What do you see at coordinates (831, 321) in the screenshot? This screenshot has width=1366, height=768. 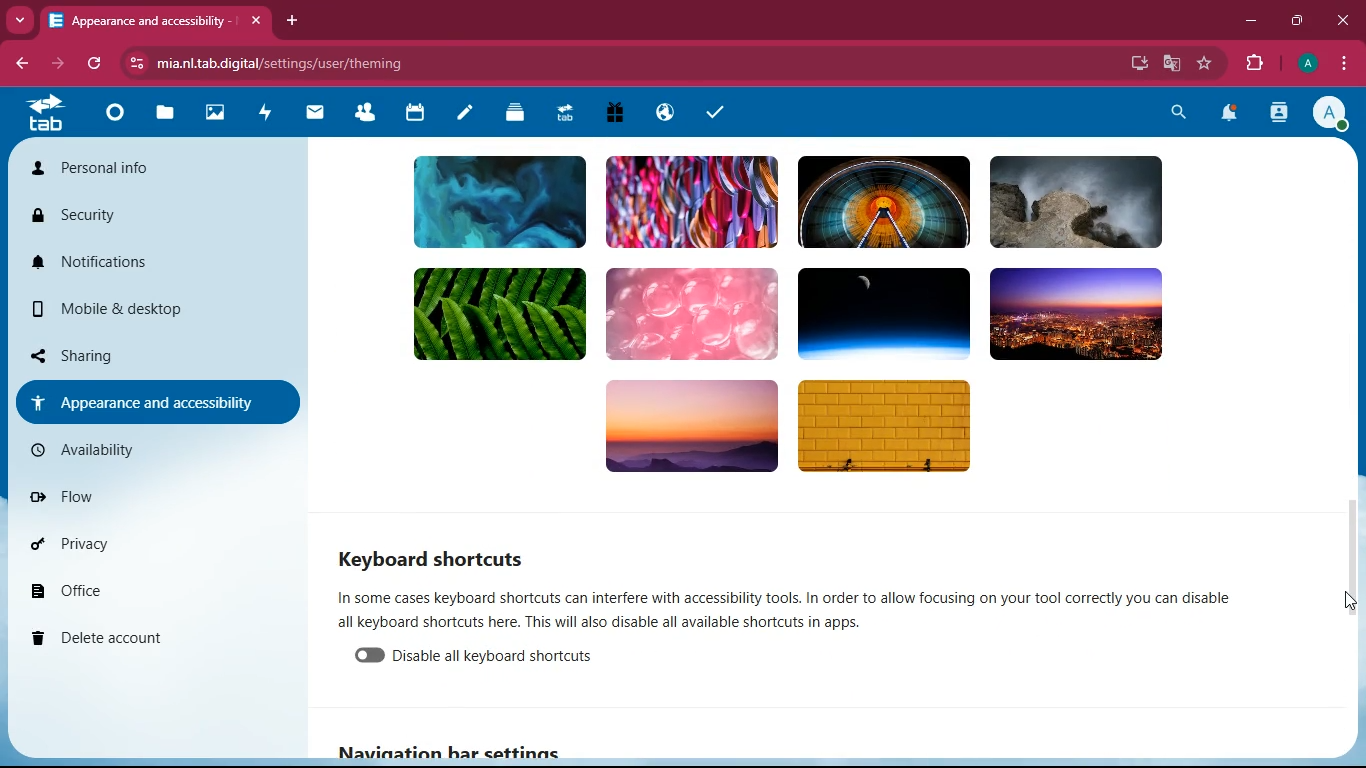 I see `background` at bounding box center [831, 321].